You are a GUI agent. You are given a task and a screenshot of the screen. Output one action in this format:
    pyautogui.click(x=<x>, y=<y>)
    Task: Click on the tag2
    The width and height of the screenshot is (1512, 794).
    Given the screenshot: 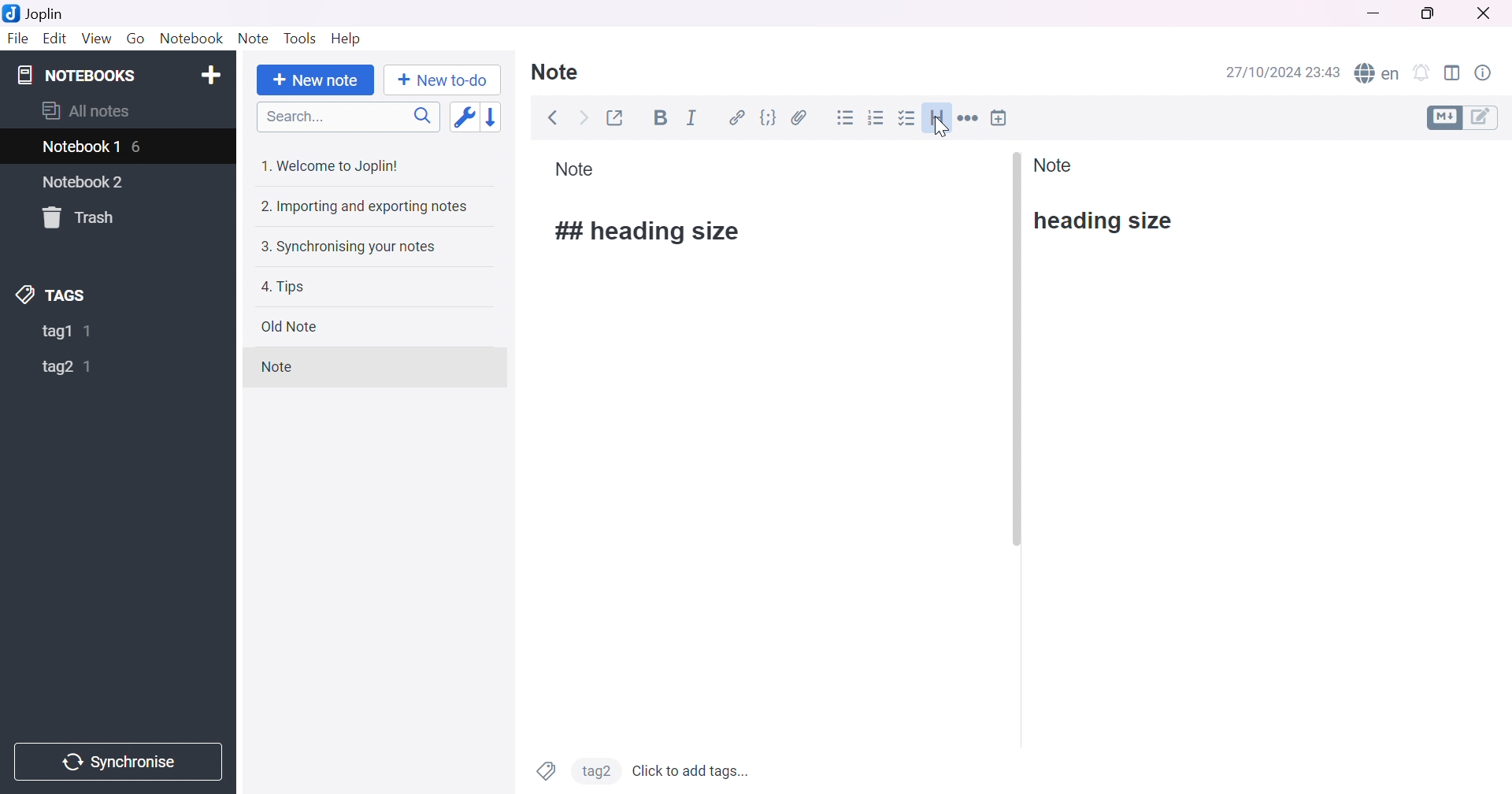 What is the action you would take?
    pyautogui.click(x=596, y=770)
    